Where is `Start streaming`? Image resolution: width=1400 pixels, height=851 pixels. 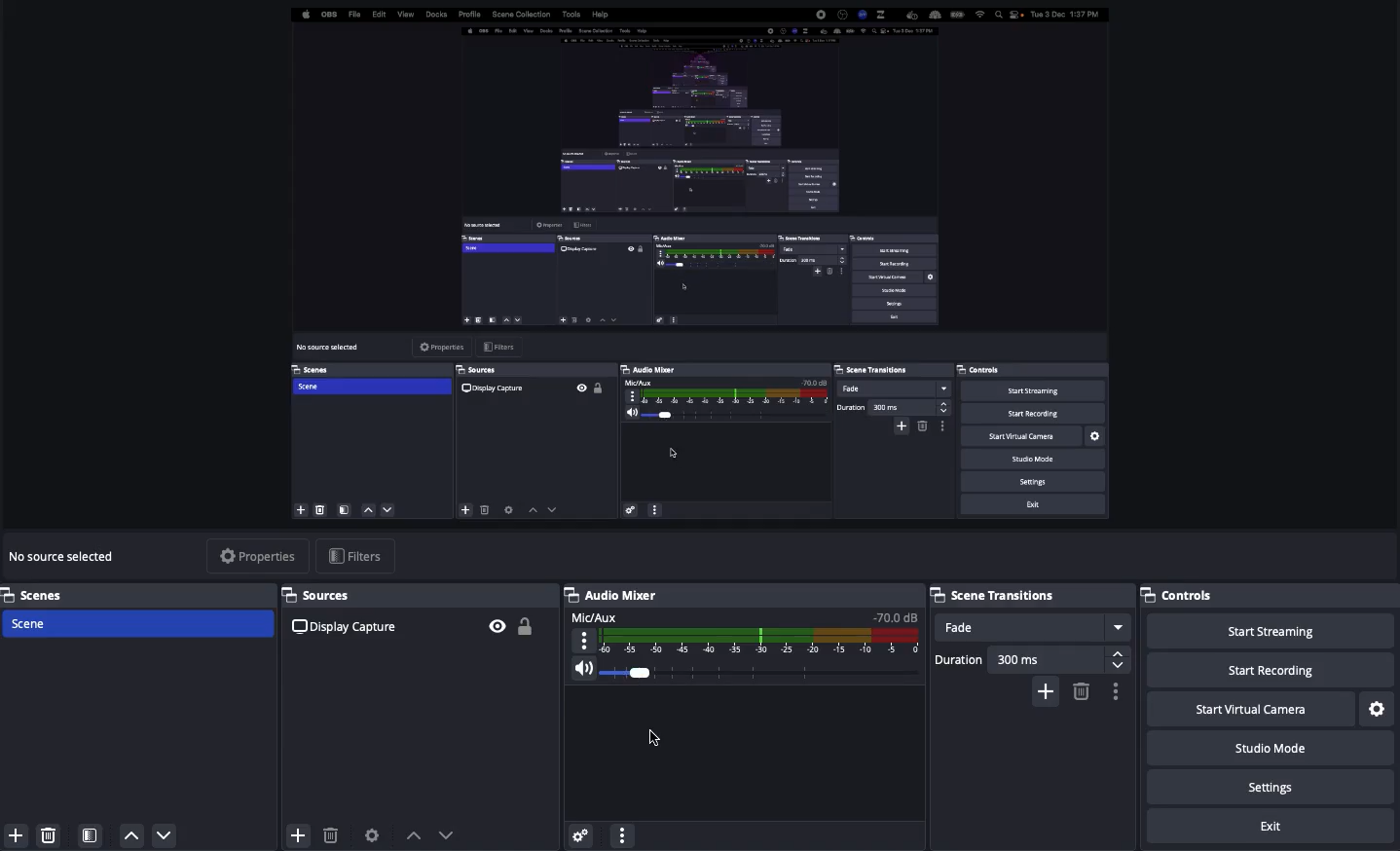 Start streaming is located at coordinates (1270, 632).